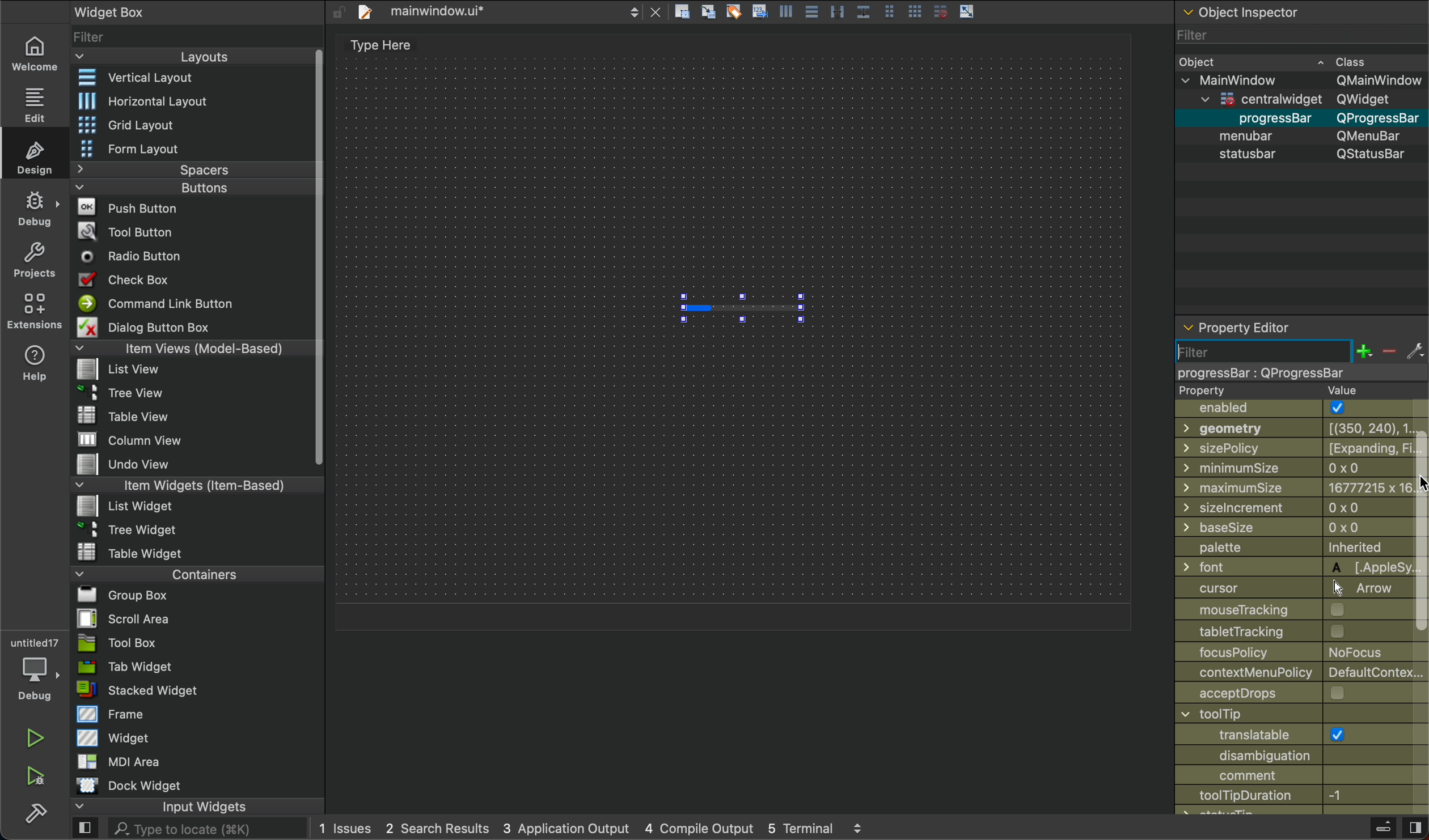  I want to click on File, so click(123, 370).